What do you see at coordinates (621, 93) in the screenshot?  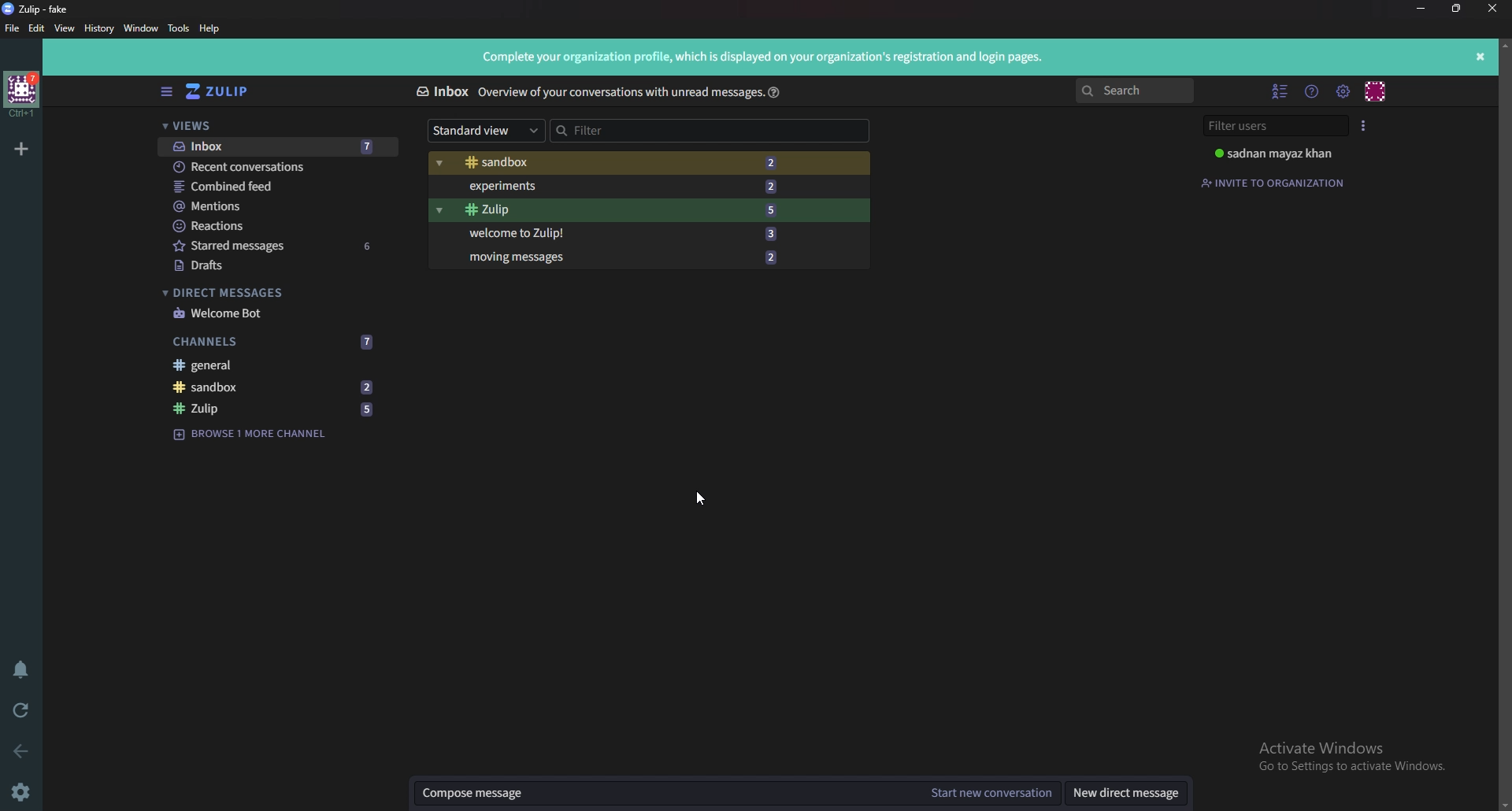 I see `Iverview of your conversations with unread message:` at bounding box center [621, 93].